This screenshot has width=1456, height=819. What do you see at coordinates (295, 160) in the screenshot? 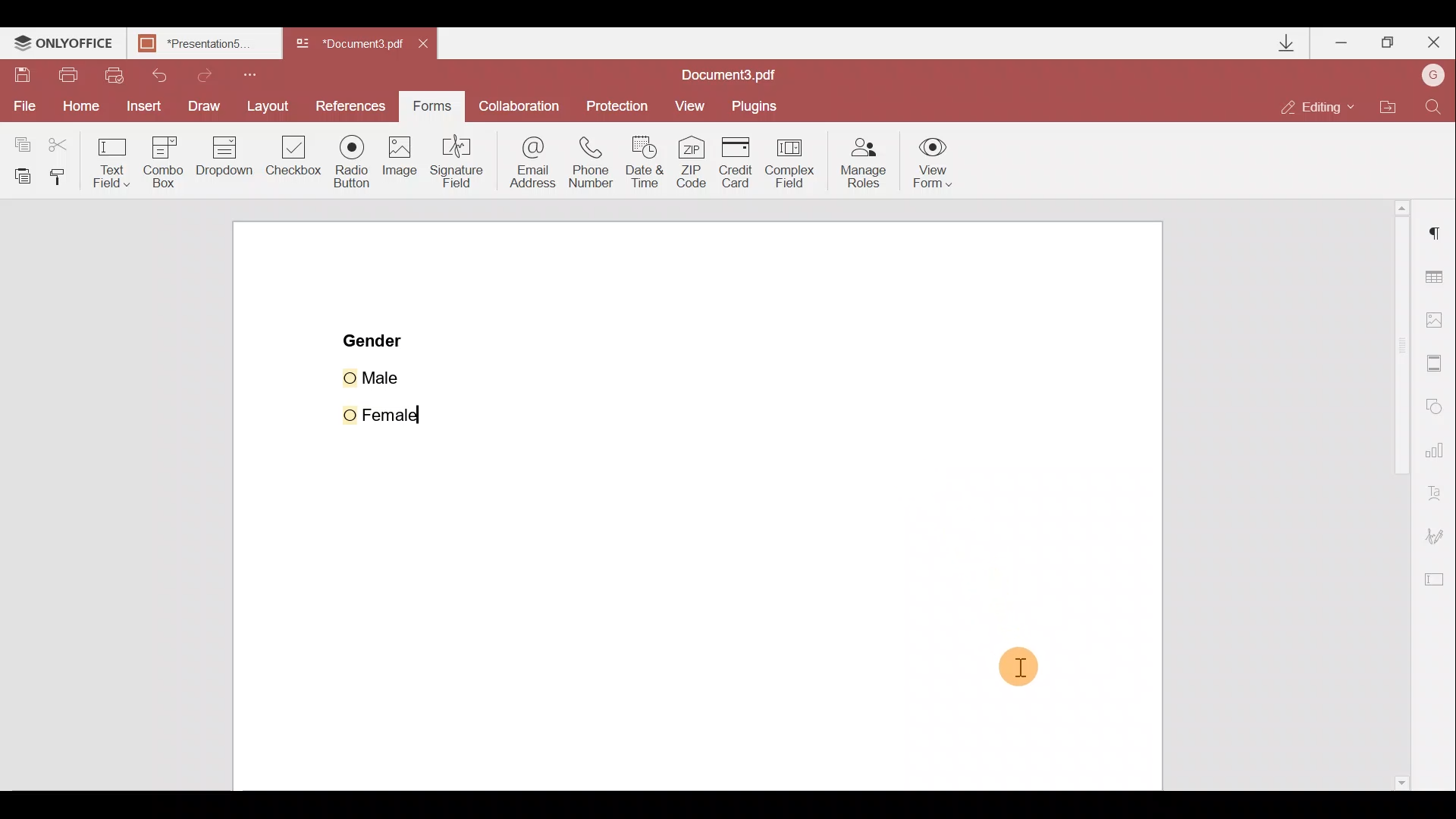
I see `Checkbox` at bounding box center [295, 160].